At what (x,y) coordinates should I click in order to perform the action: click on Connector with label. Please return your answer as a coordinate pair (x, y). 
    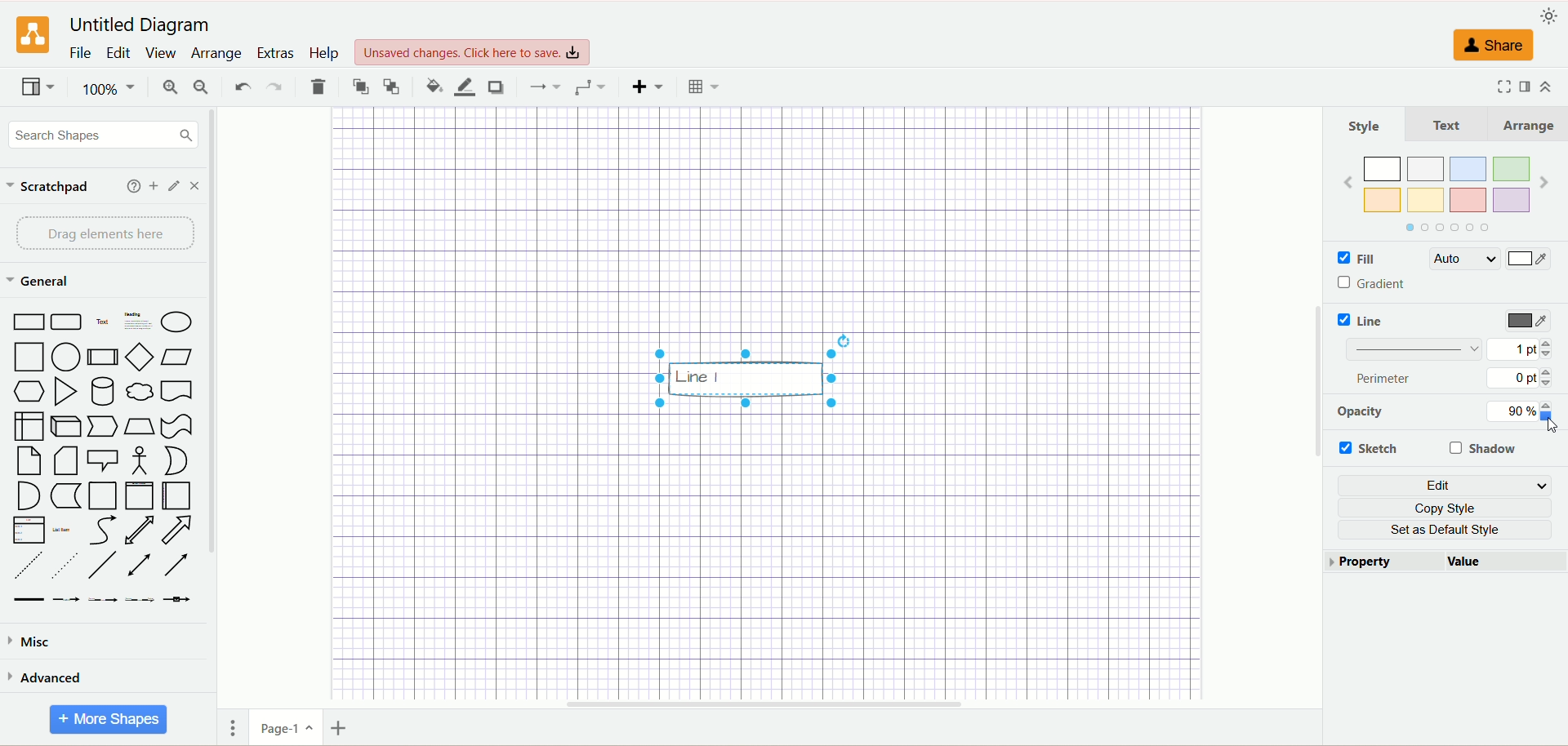
    Looking at the image, I should click on (66, 601).